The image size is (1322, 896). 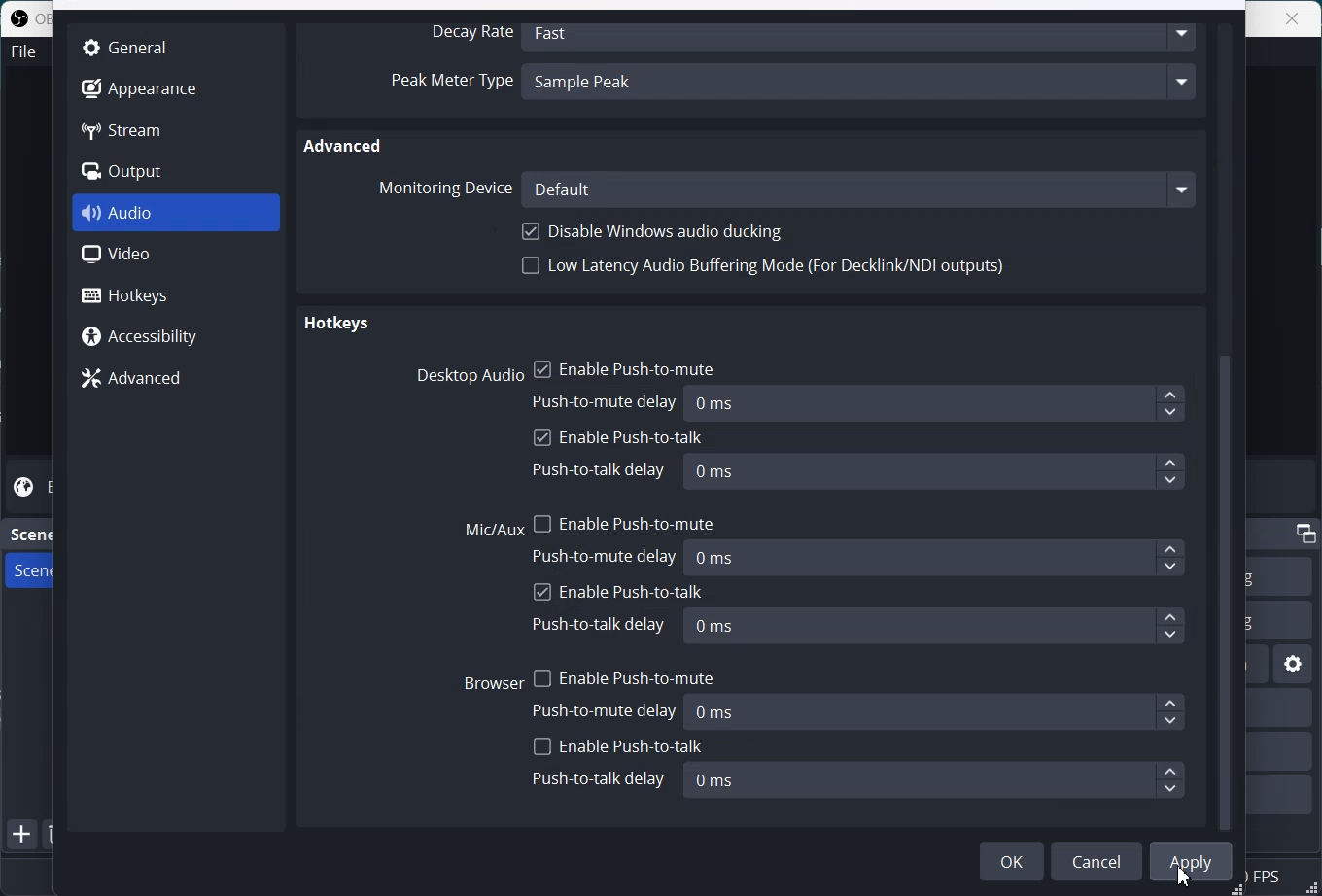 I want to click on 0 ms, so click(x=937, y=404).